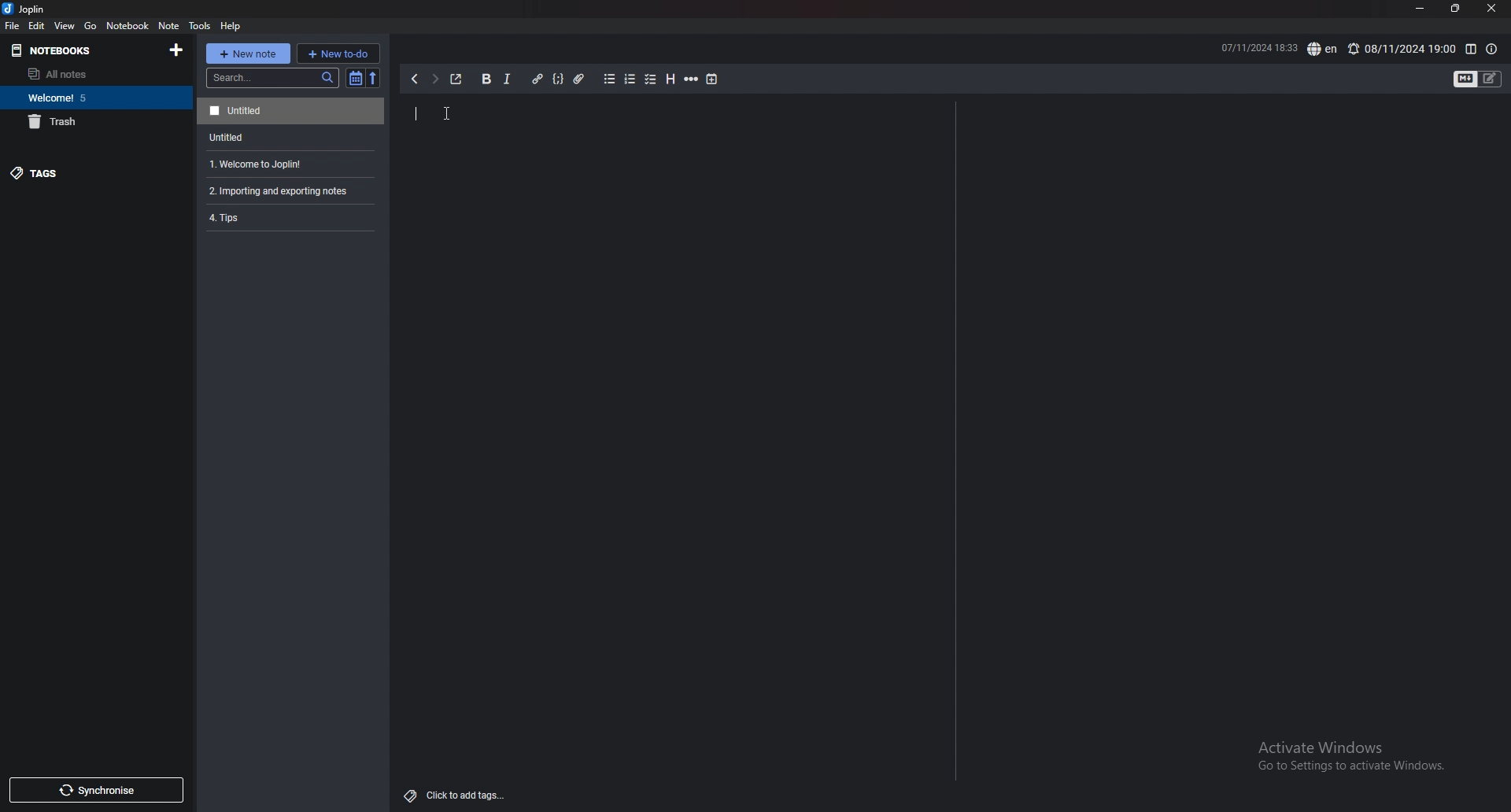 The image size is (1511, 812). I want to click on bold, so click(486, 79).